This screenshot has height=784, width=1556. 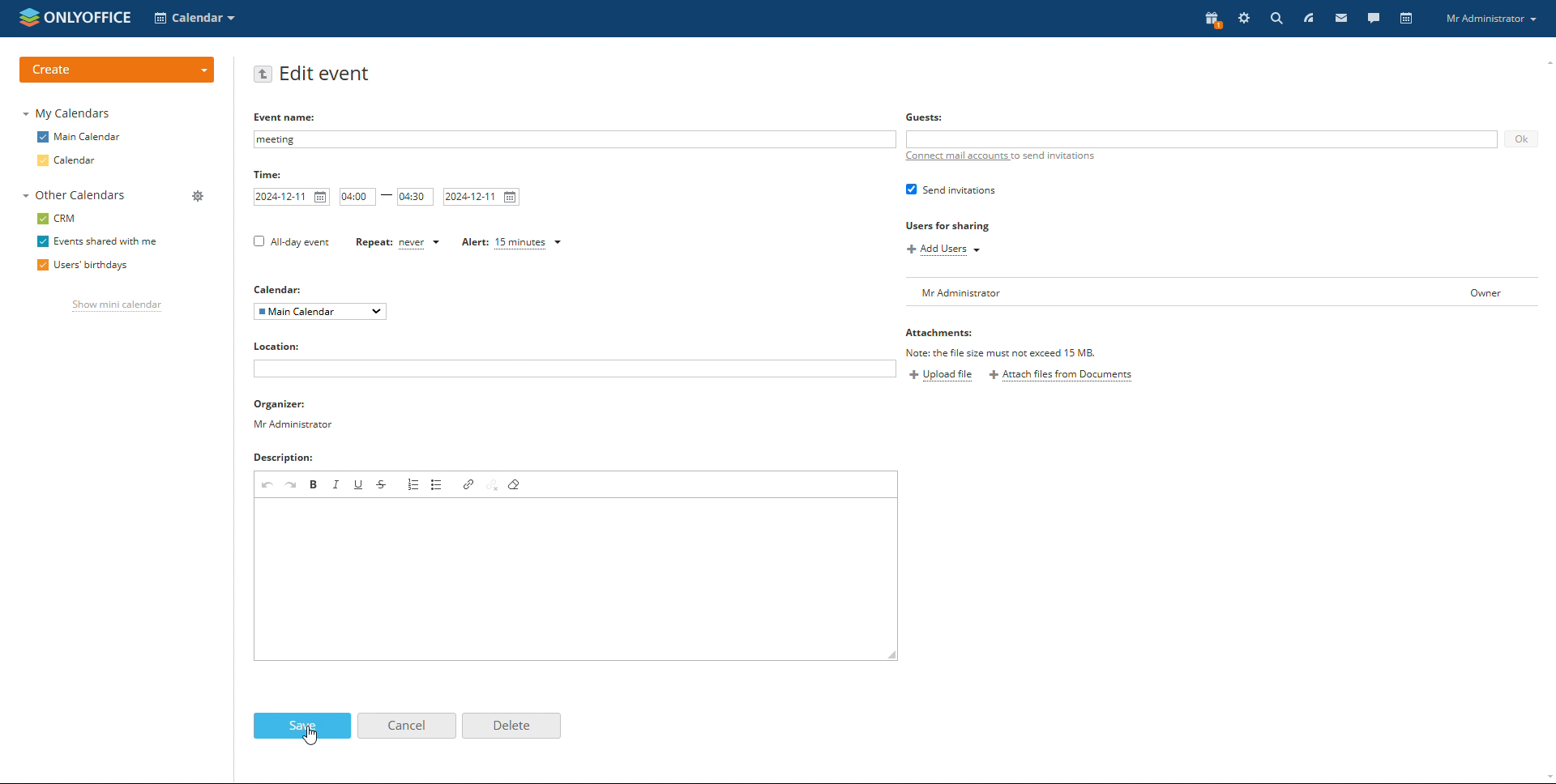 I want to click on alert set, so click(x=513, y=243).